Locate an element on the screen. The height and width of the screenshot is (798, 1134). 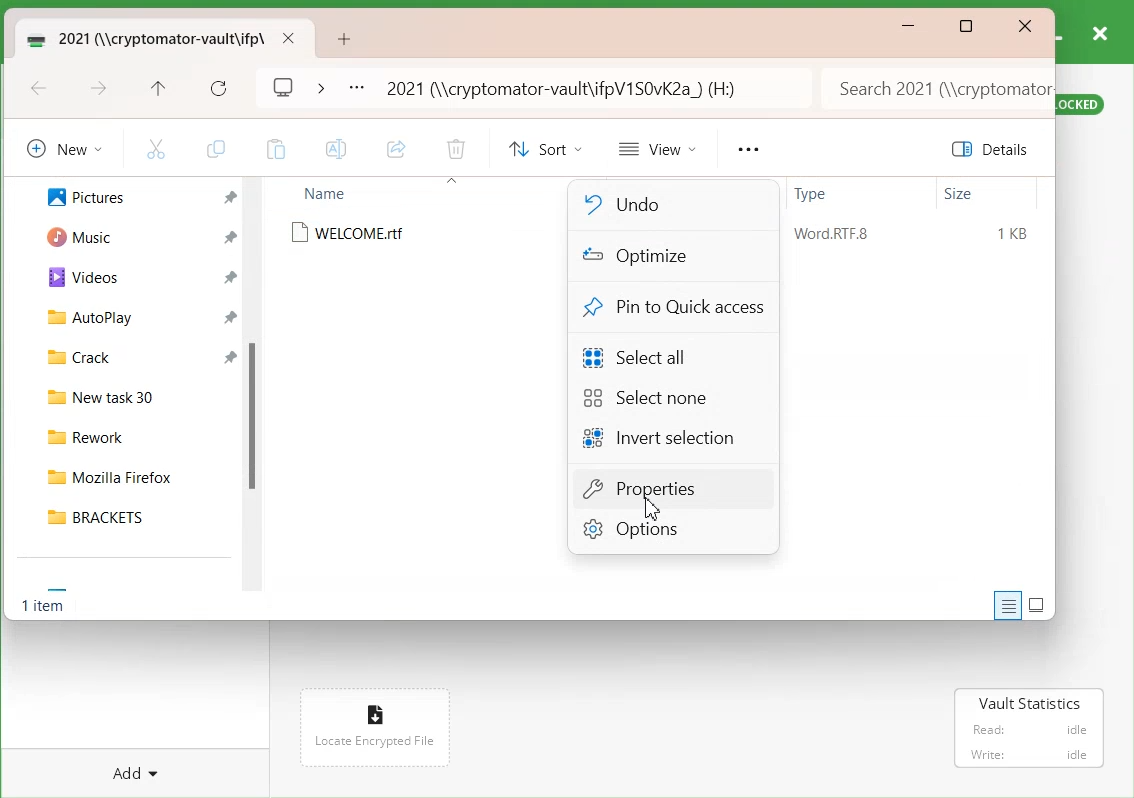
Select none is located at coordinates (649, 398).